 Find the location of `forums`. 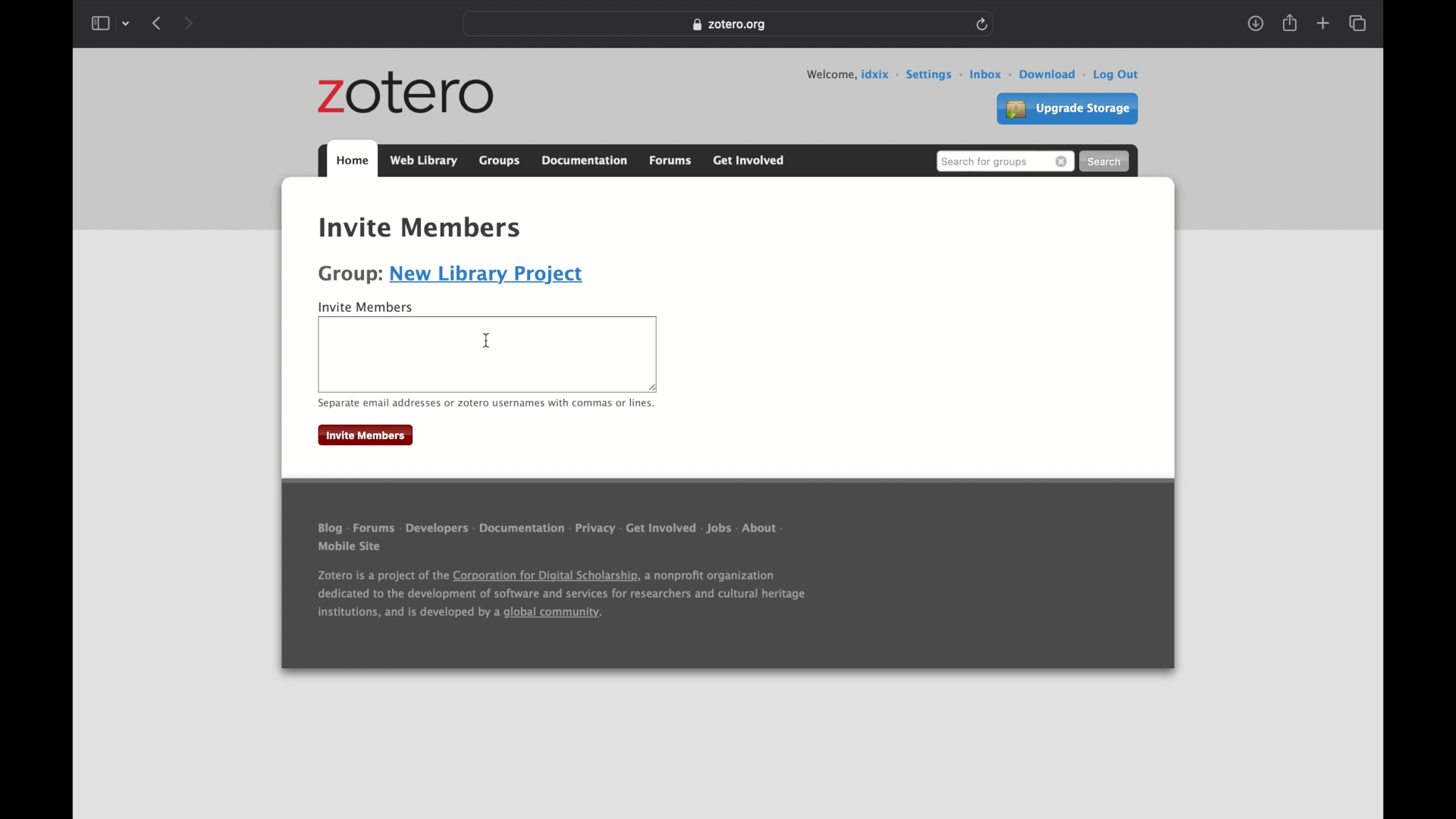

forums is located at coordinates (376, 526).